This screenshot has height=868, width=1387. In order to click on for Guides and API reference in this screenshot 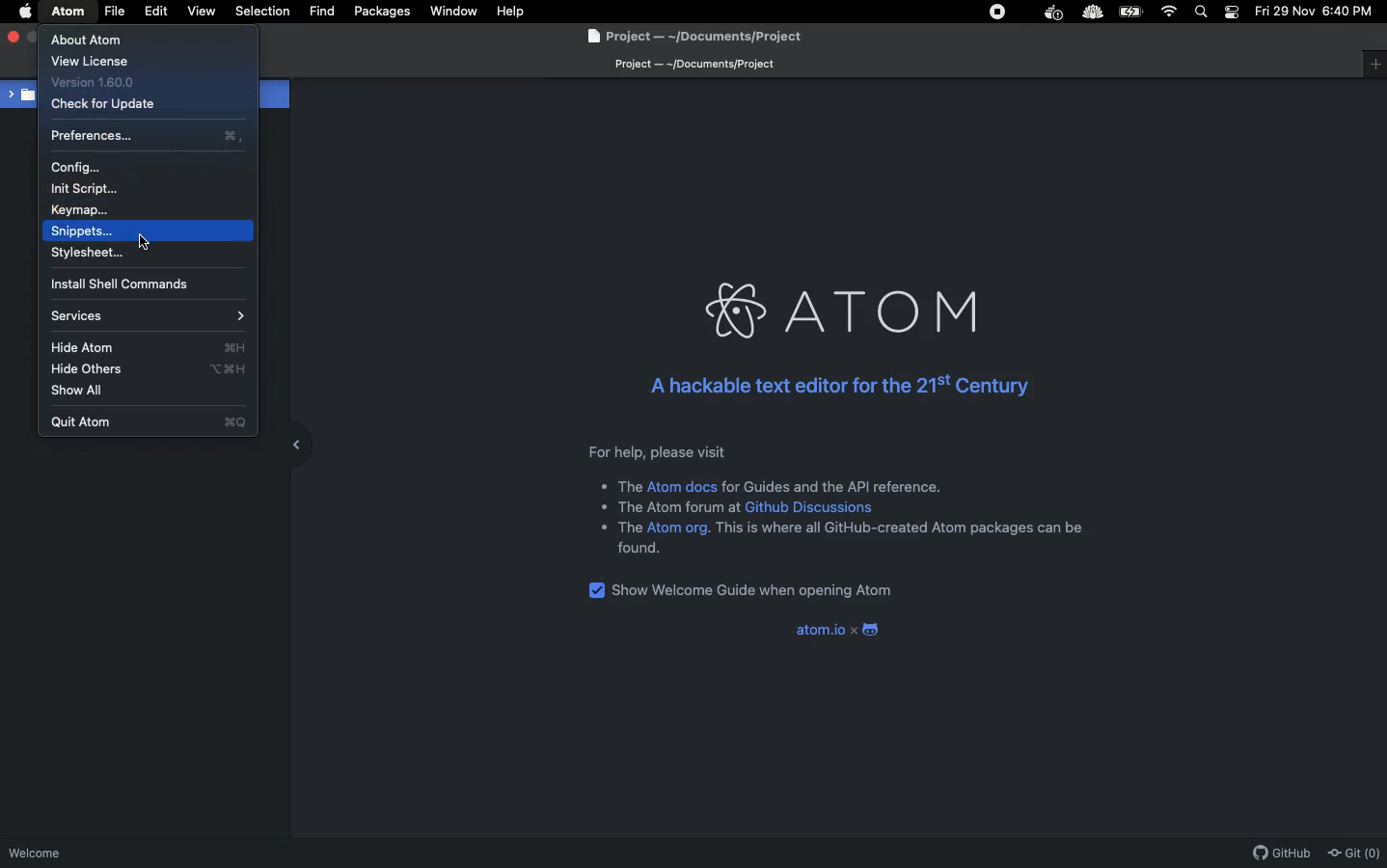, I will do `click(831, 486)`.